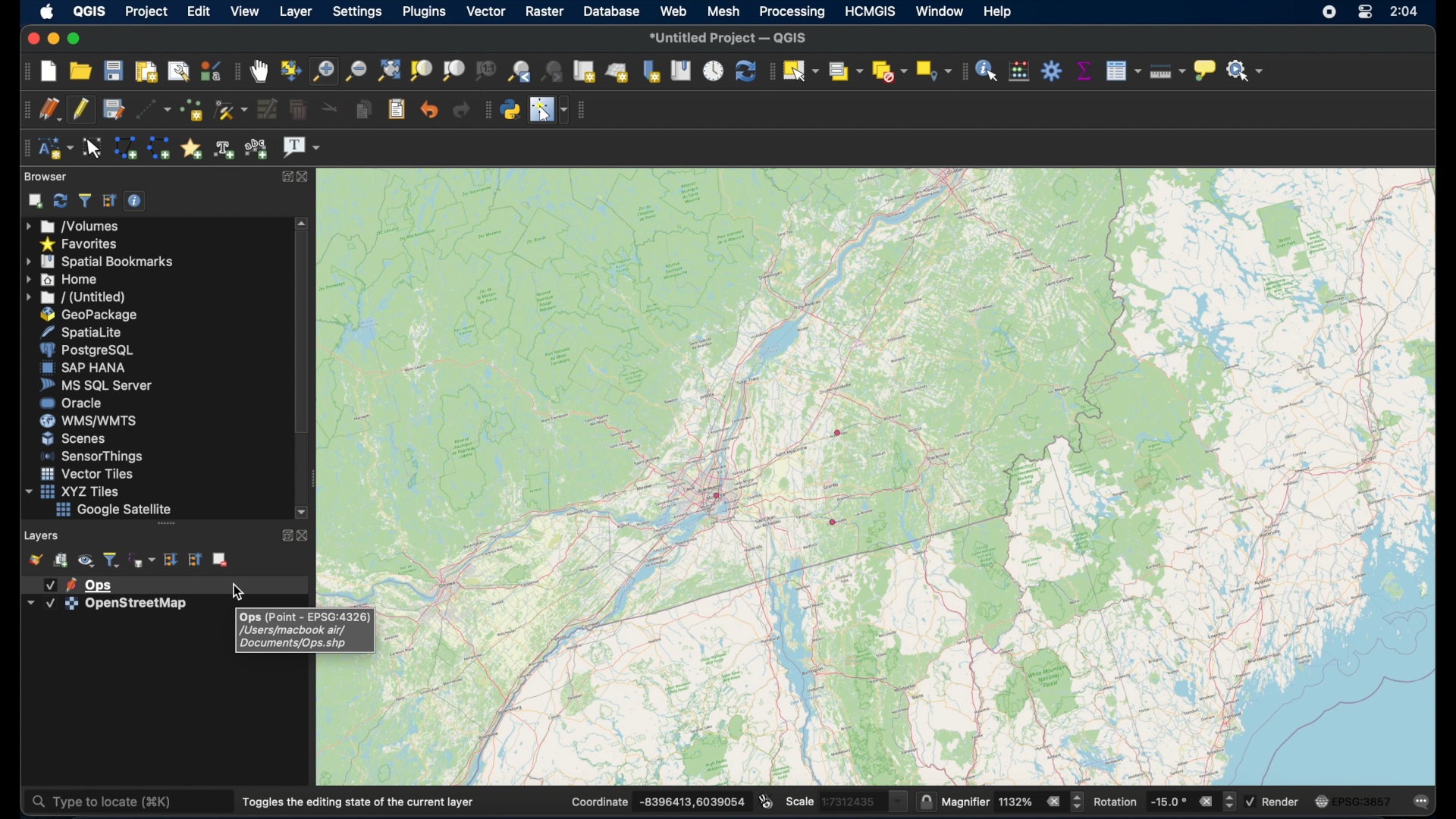  What do you see at coordinates (224, 149) in the screenshot?
I see `create text annotation at point` at bounding box center [224, 149].